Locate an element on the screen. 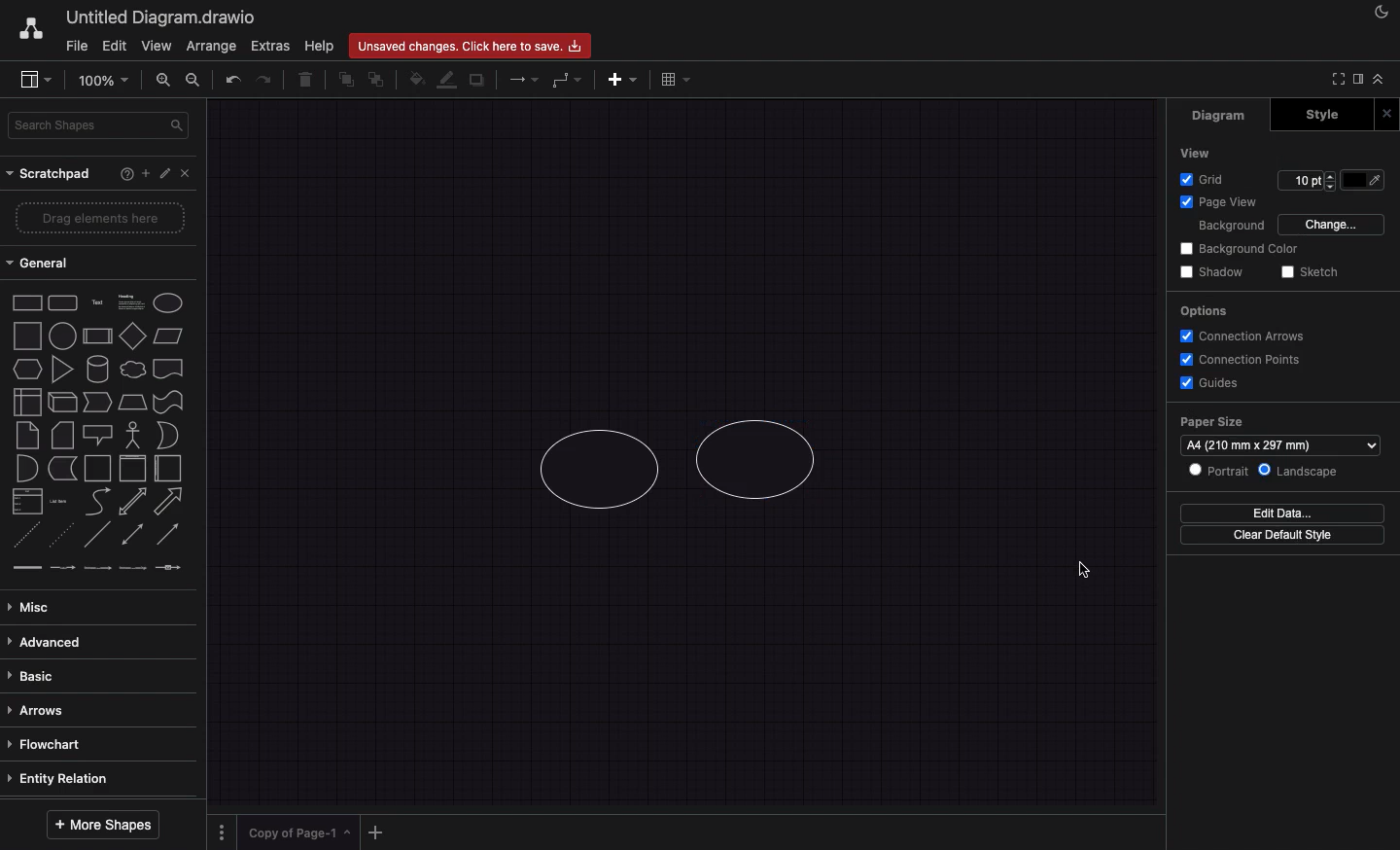 The image size is (1400, 850). trapezoid is located at coordinates (133, 402).